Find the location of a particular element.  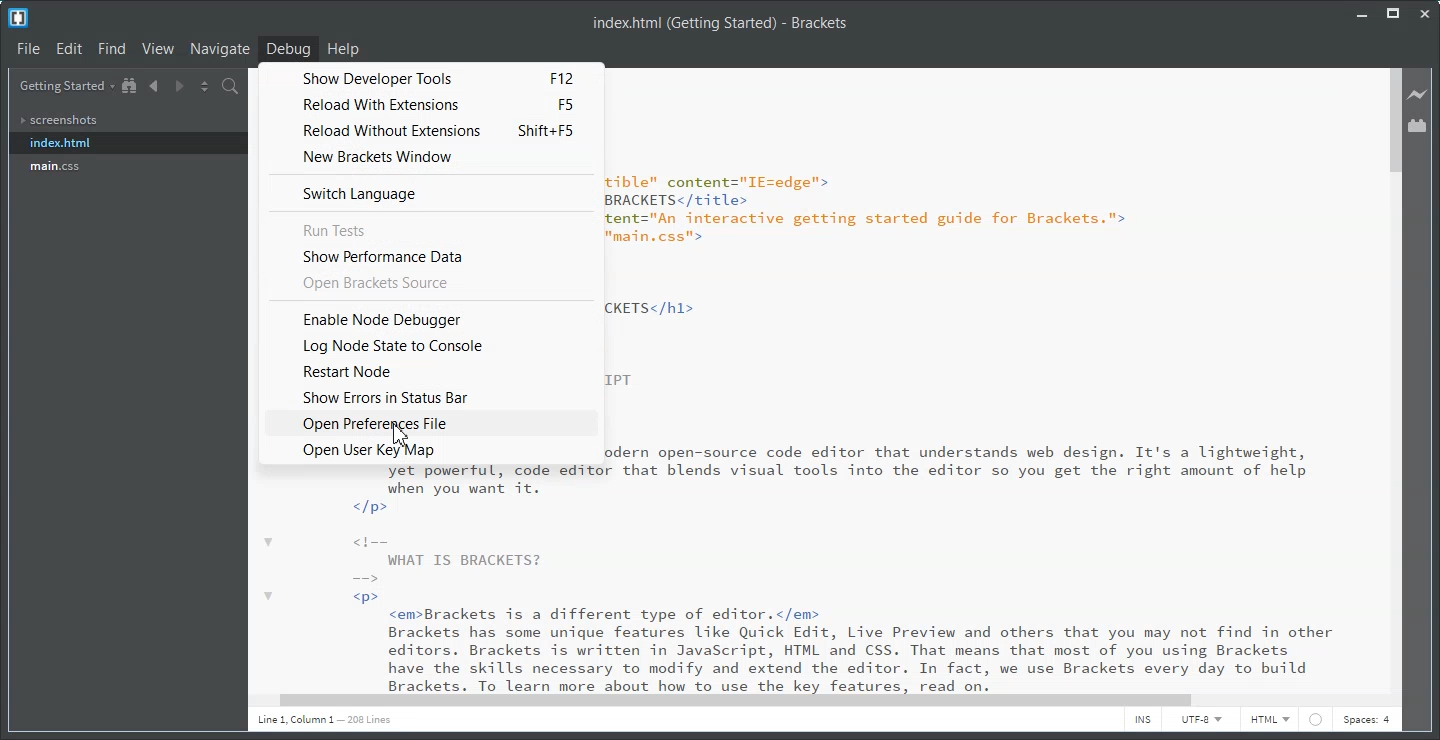

Show Performance Data is located at coordinates (427, 255).